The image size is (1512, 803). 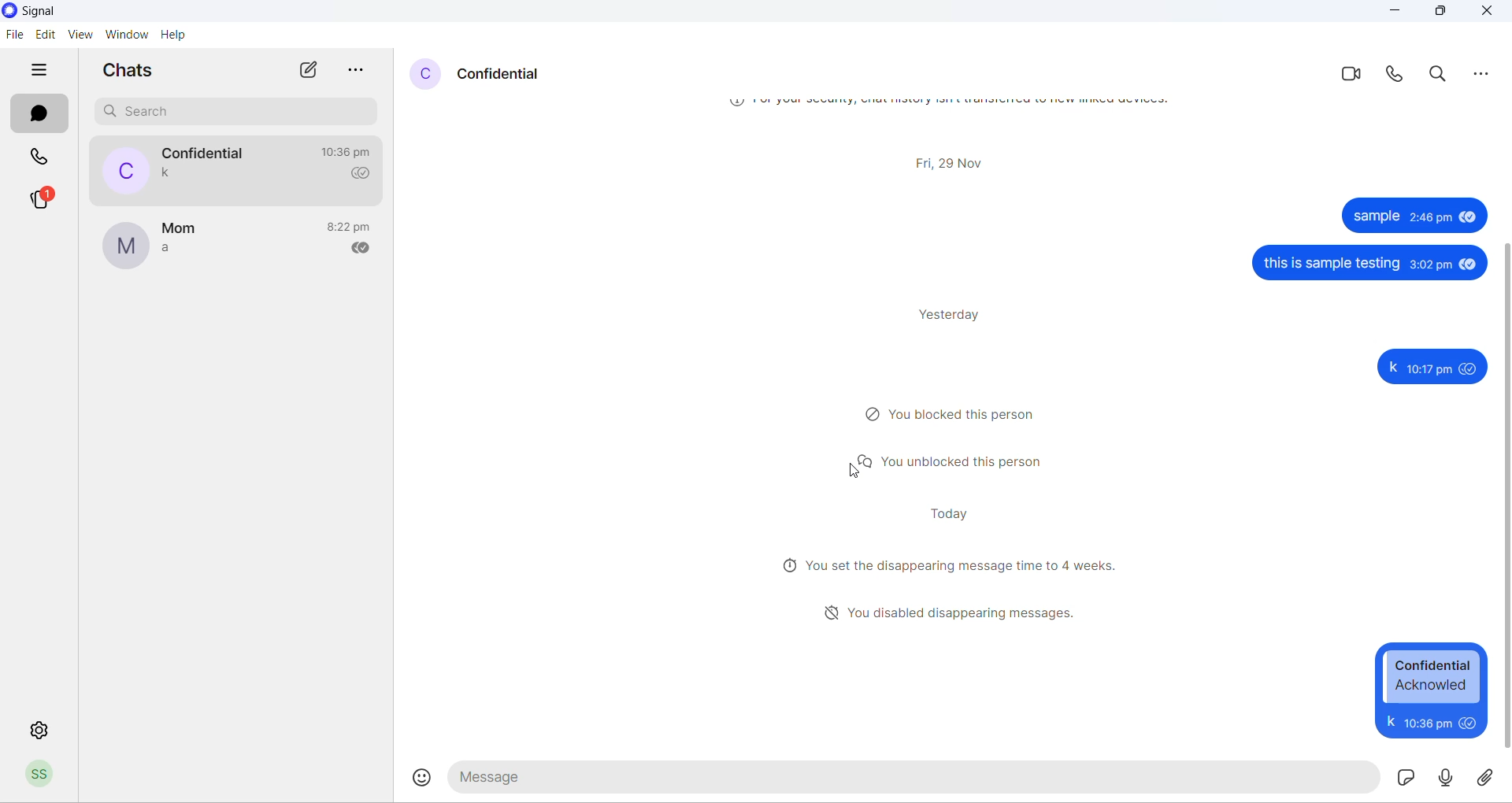 What do you see at coordinates (421, 71) in the screenshot?
I see `profile picture` at bounding box center [421, 71].